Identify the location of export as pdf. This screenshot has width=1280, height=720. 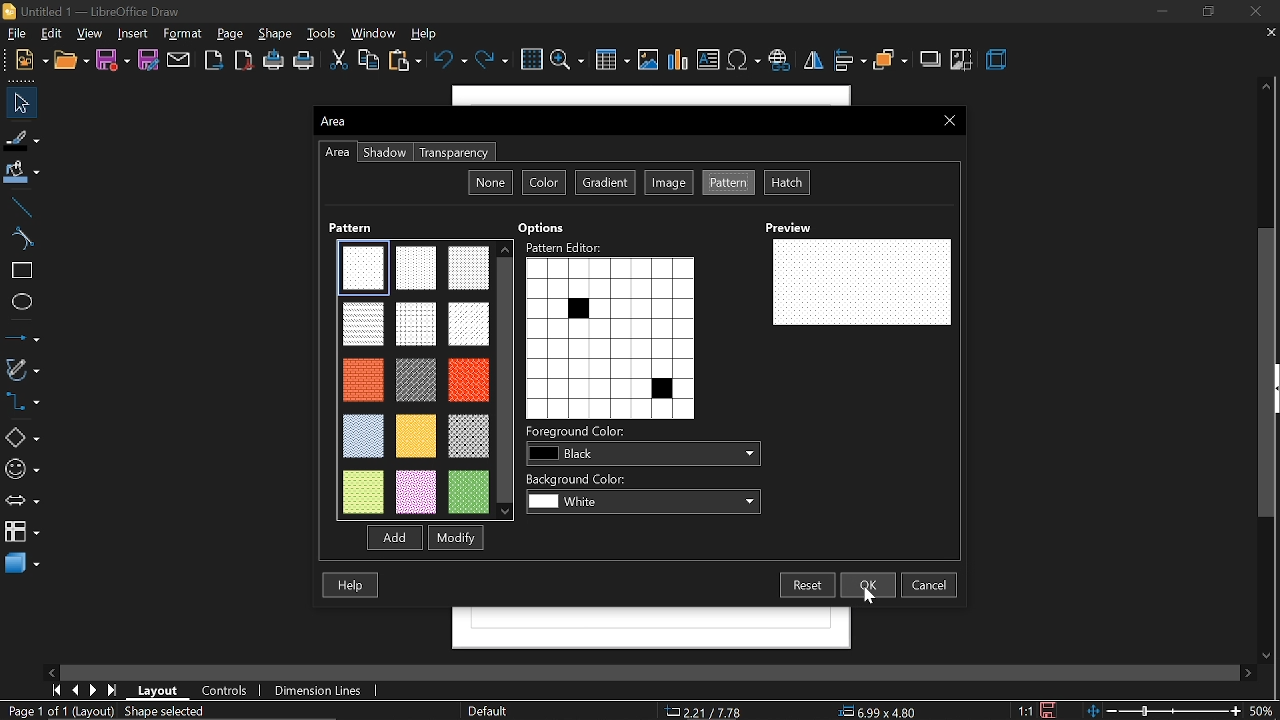
(243, 60).